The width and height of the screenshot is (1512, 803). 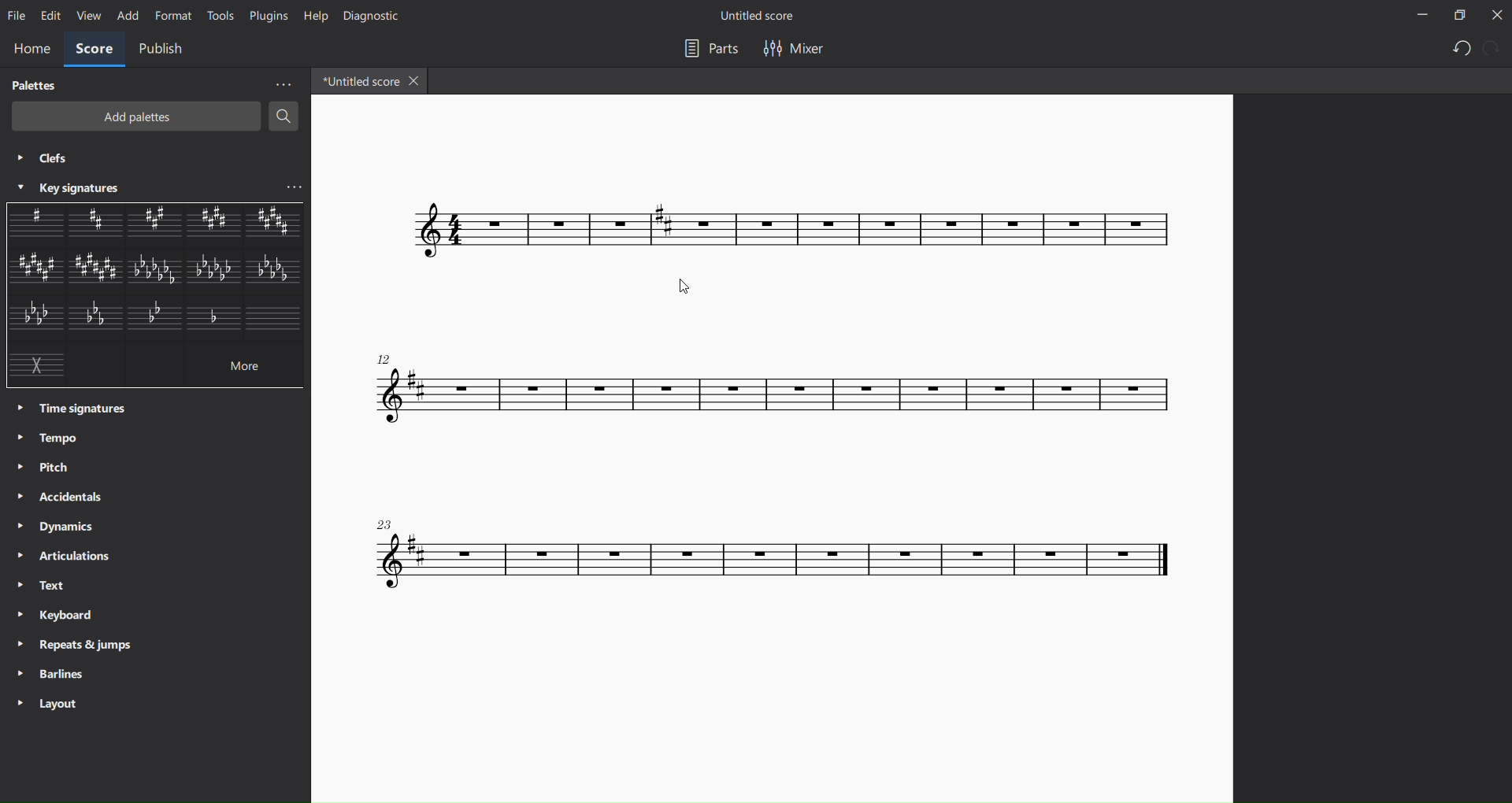 What do you see at coordinates (46, 157) in the screenshot?
I see `clefs` at bounding box center [46, 157].